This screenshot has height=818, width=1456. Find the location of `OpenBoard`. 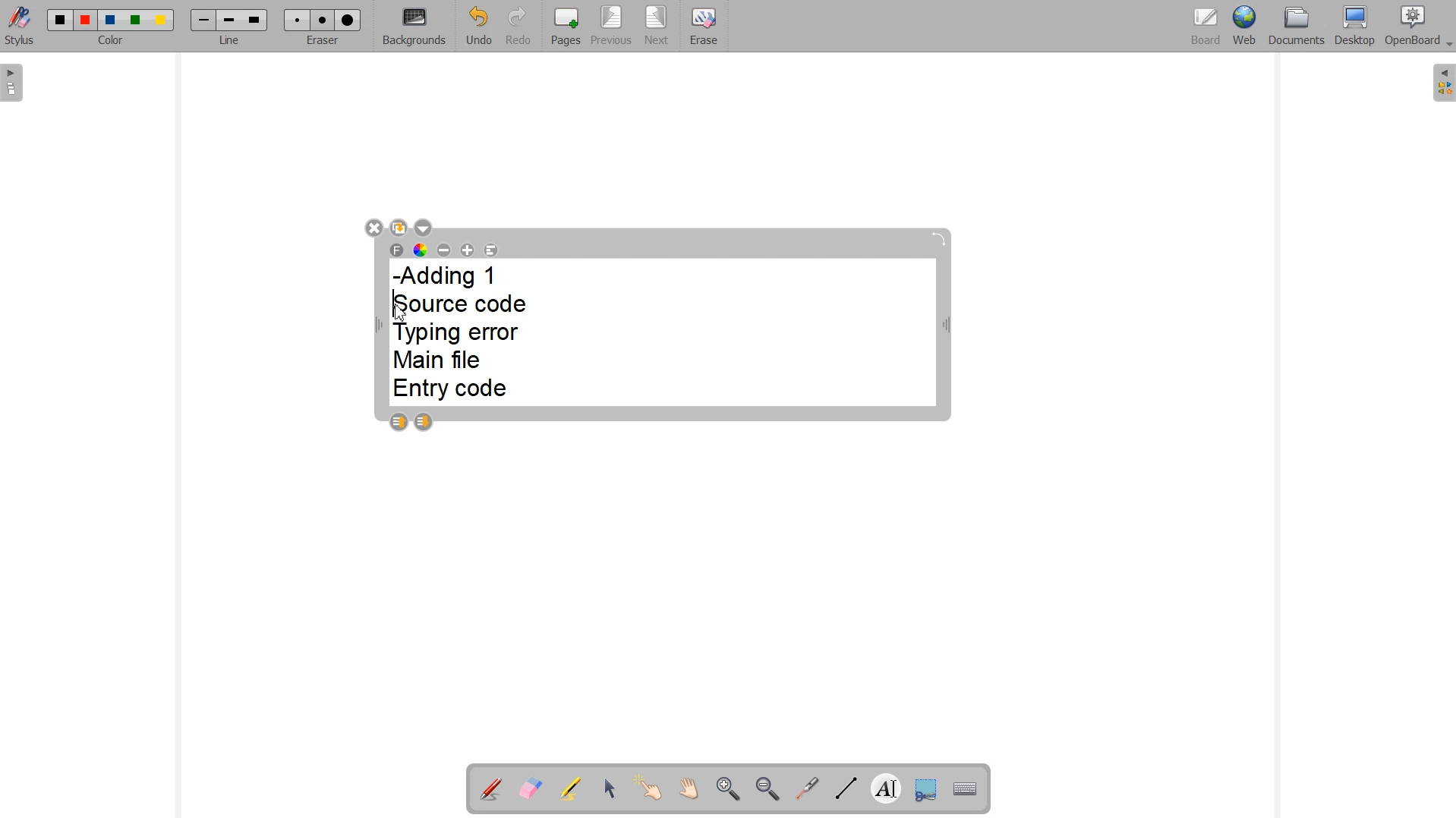

OpenBoard is located at coordinates (1420, 27).